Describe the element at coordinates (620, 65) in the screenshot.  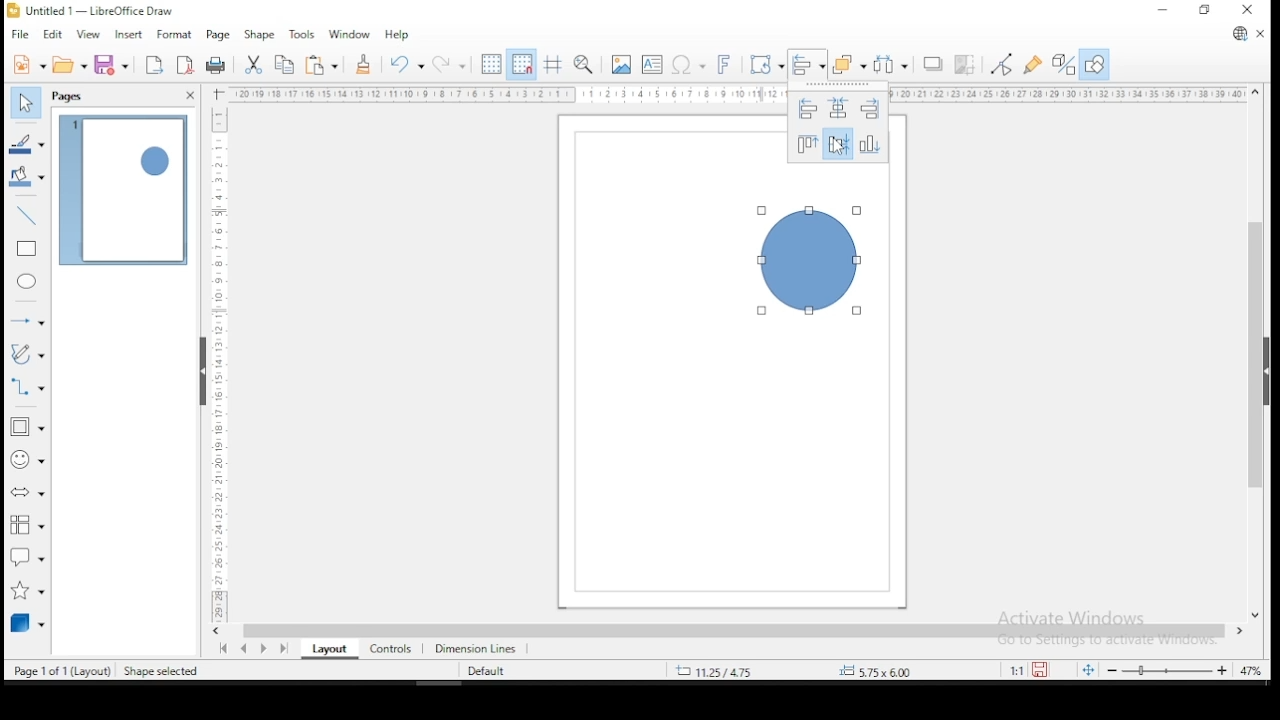
I see `insert image` at that location.